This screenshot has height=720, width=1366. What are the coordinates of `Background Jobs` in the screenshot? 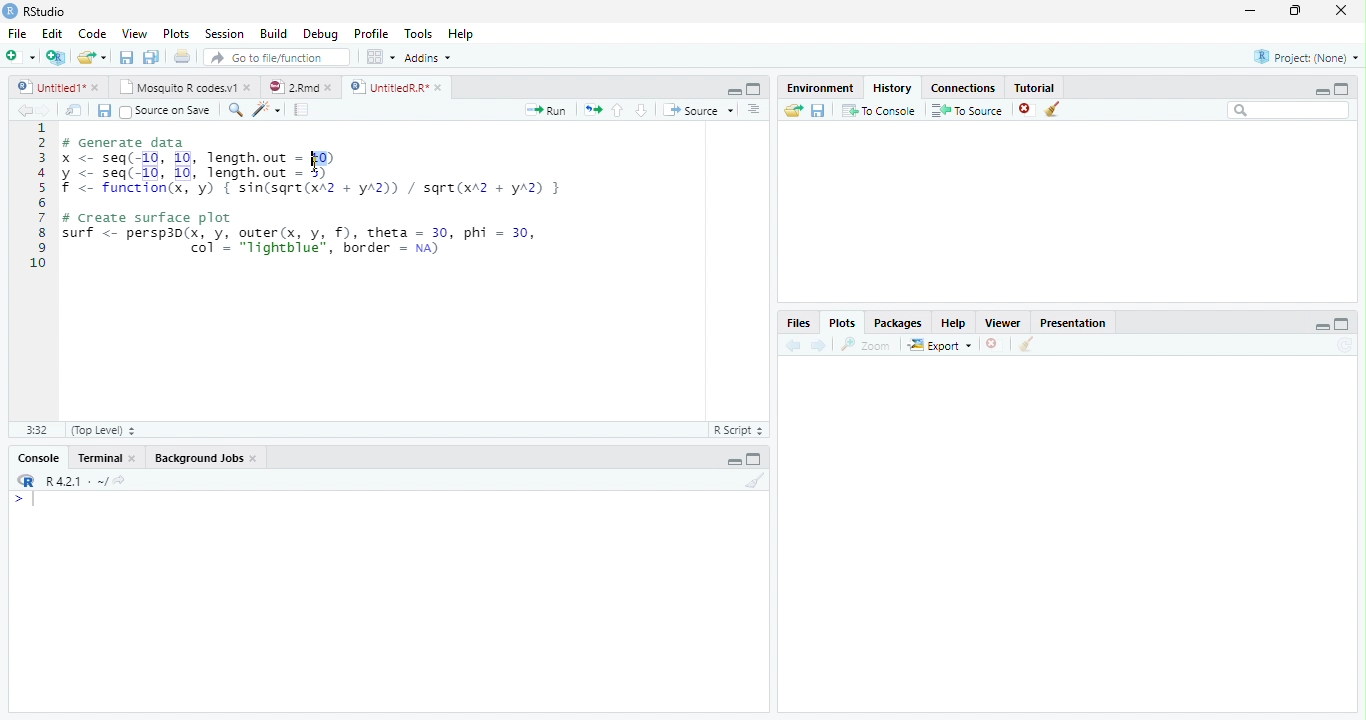 It's located at (199, 458).